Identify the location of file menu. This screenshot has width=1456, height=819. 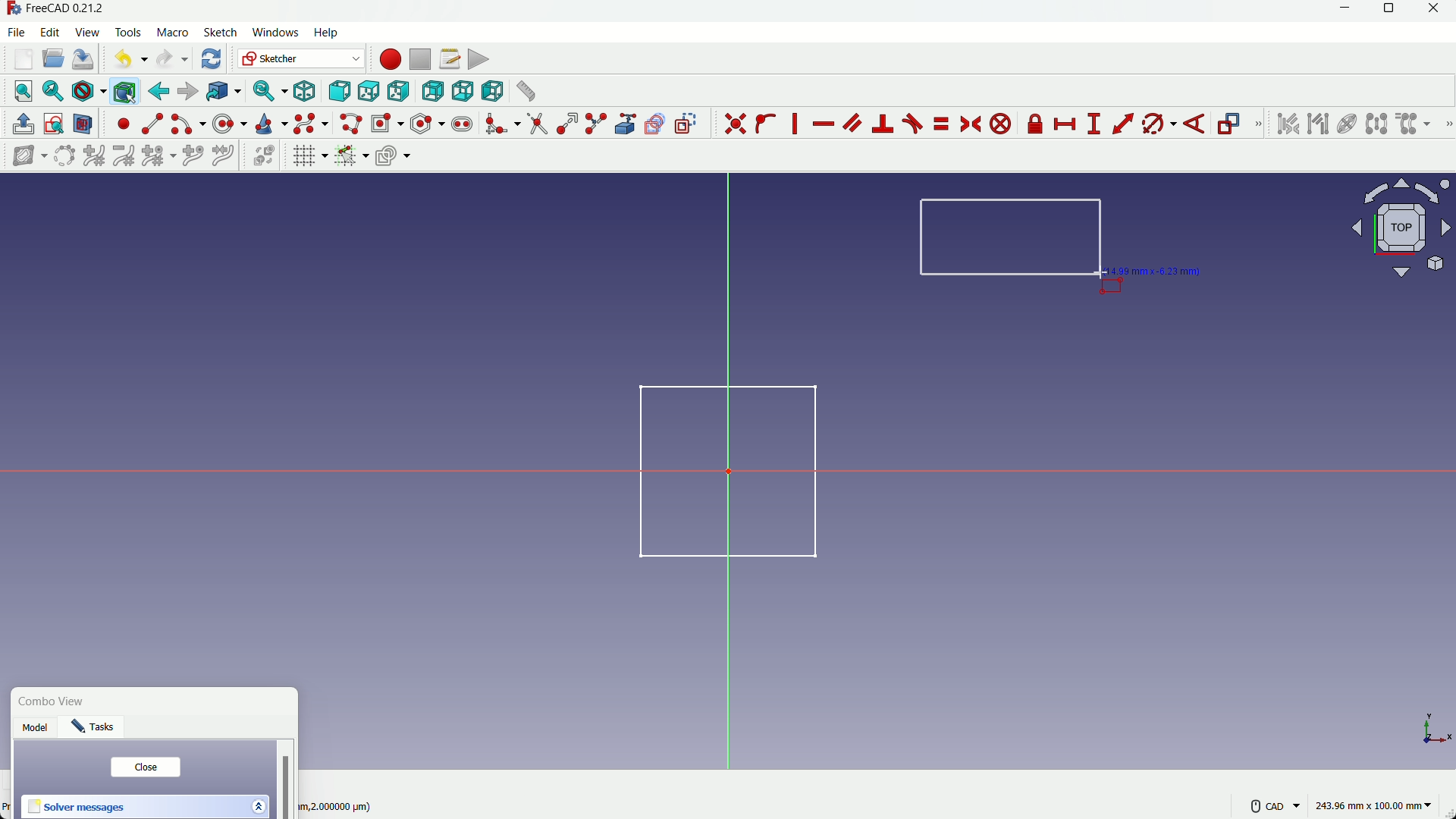
(18, 32).